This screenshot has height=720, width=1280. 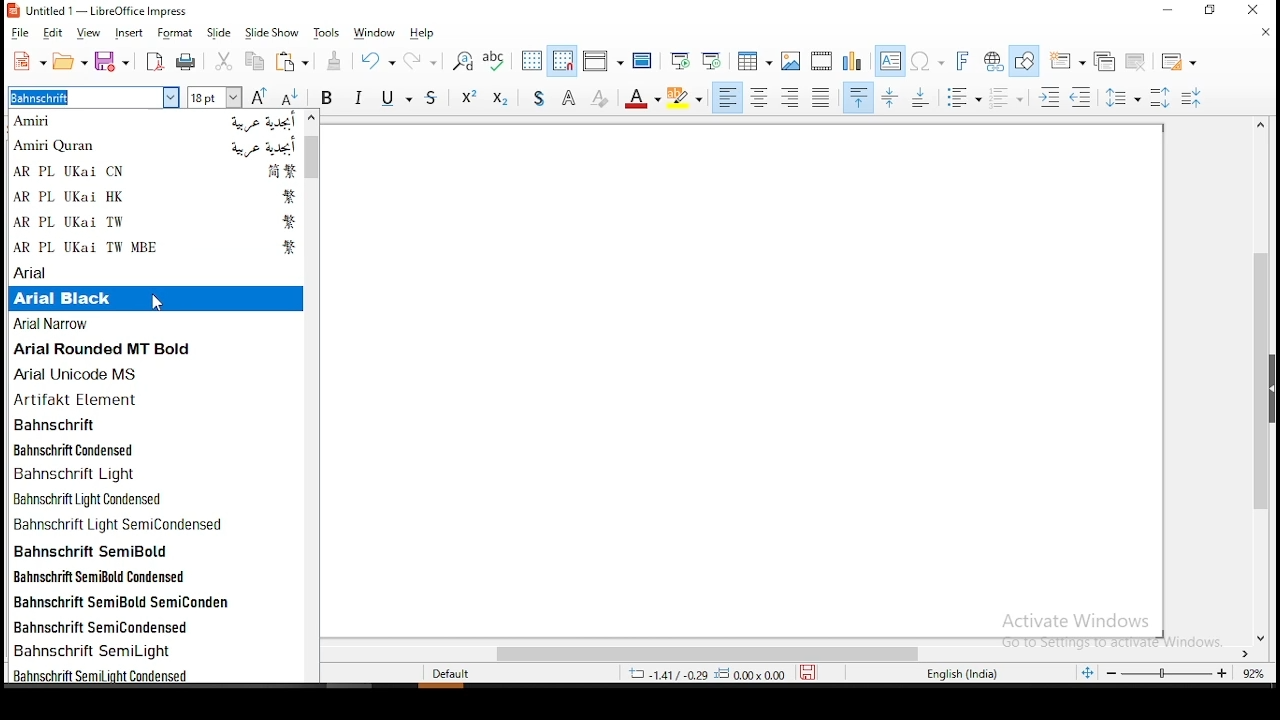 What do you see at coordinates (496, 61) in the screenshot?
I see `spell check` at bounding box center [496, 61].